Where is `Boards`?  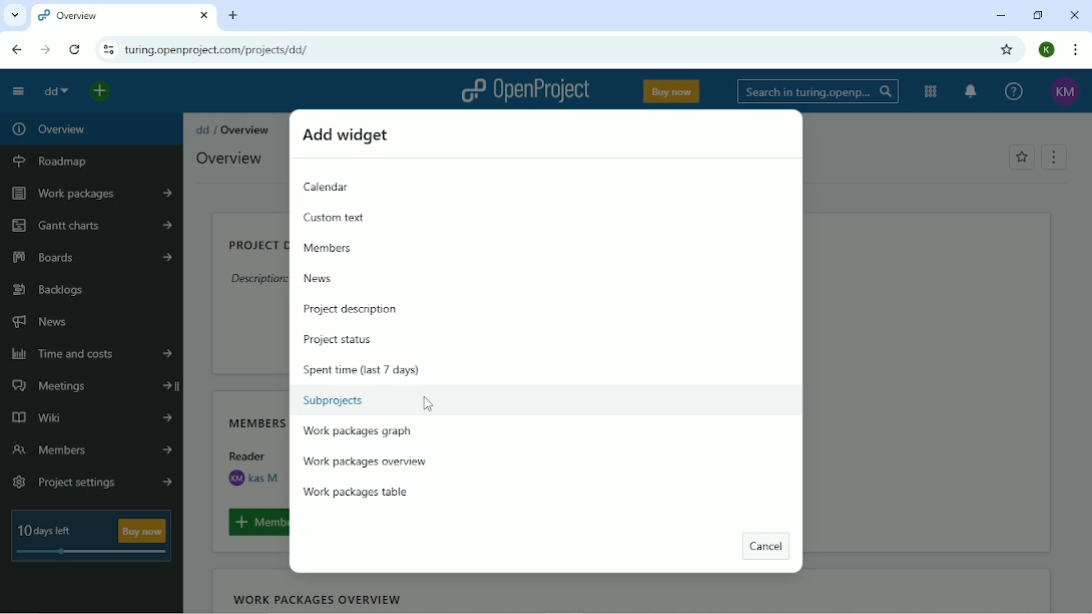
Boards is located at coordinates (93, 258).